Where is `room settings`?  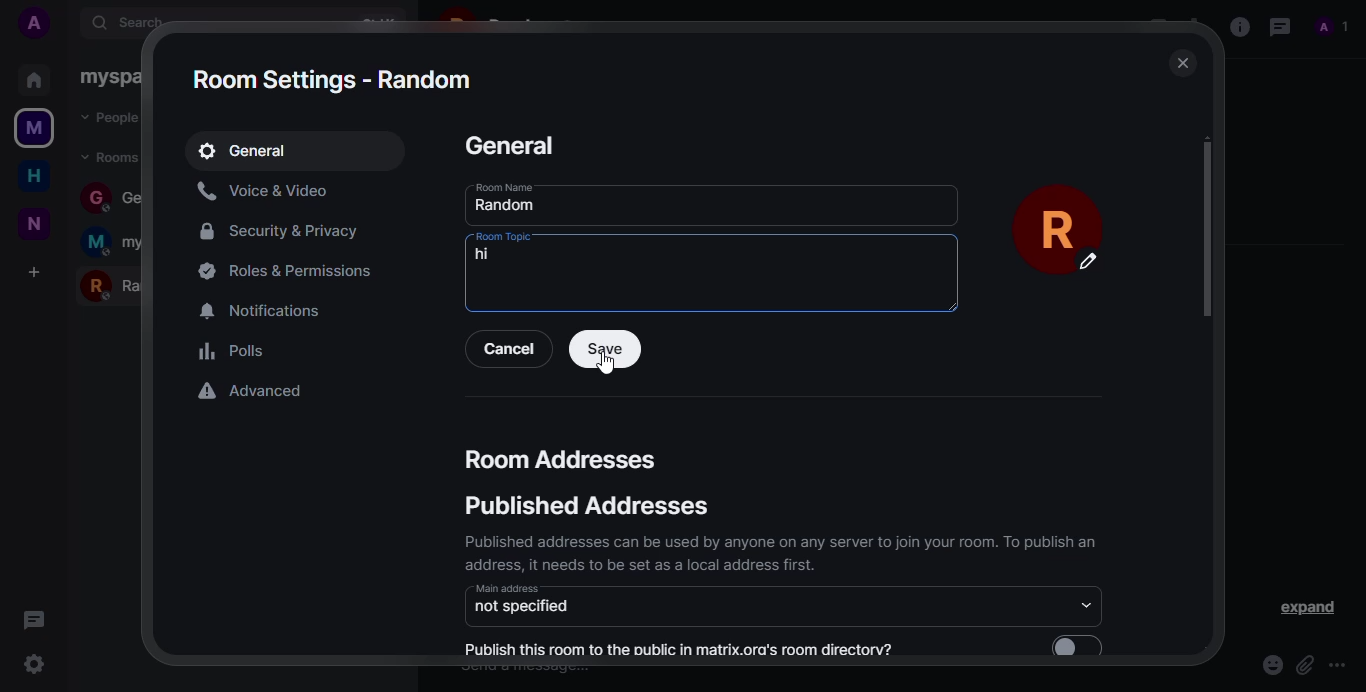 room settings is located at coordinates (336, 81).